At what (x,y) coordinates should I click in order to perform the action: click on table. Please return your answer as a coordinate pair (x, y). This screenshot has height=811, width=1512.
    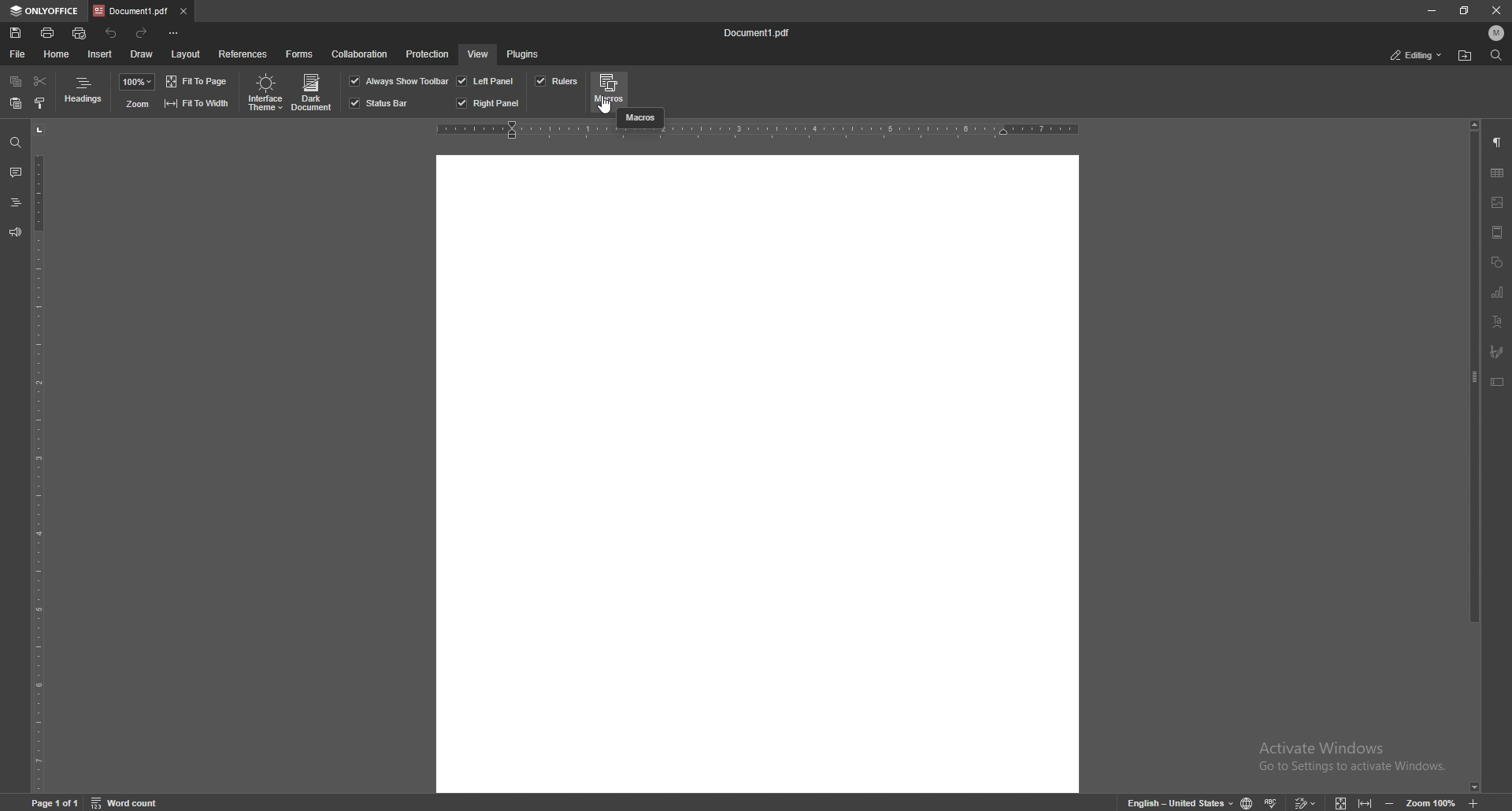
    Looking at the image, I should click on (1497, 173).